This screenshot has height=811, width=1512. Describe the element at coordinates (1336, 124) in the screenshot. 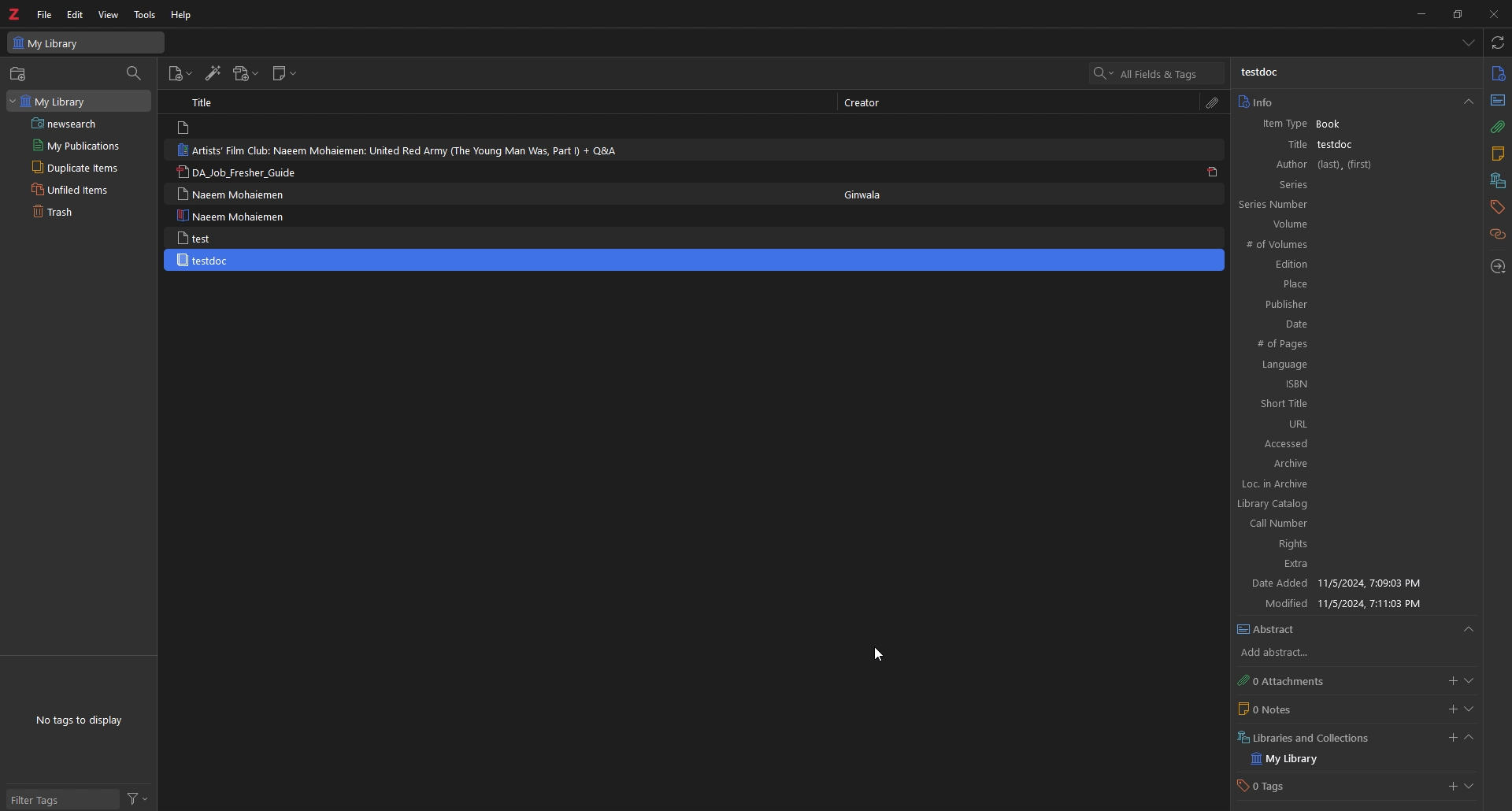

I see `Book` at that location.